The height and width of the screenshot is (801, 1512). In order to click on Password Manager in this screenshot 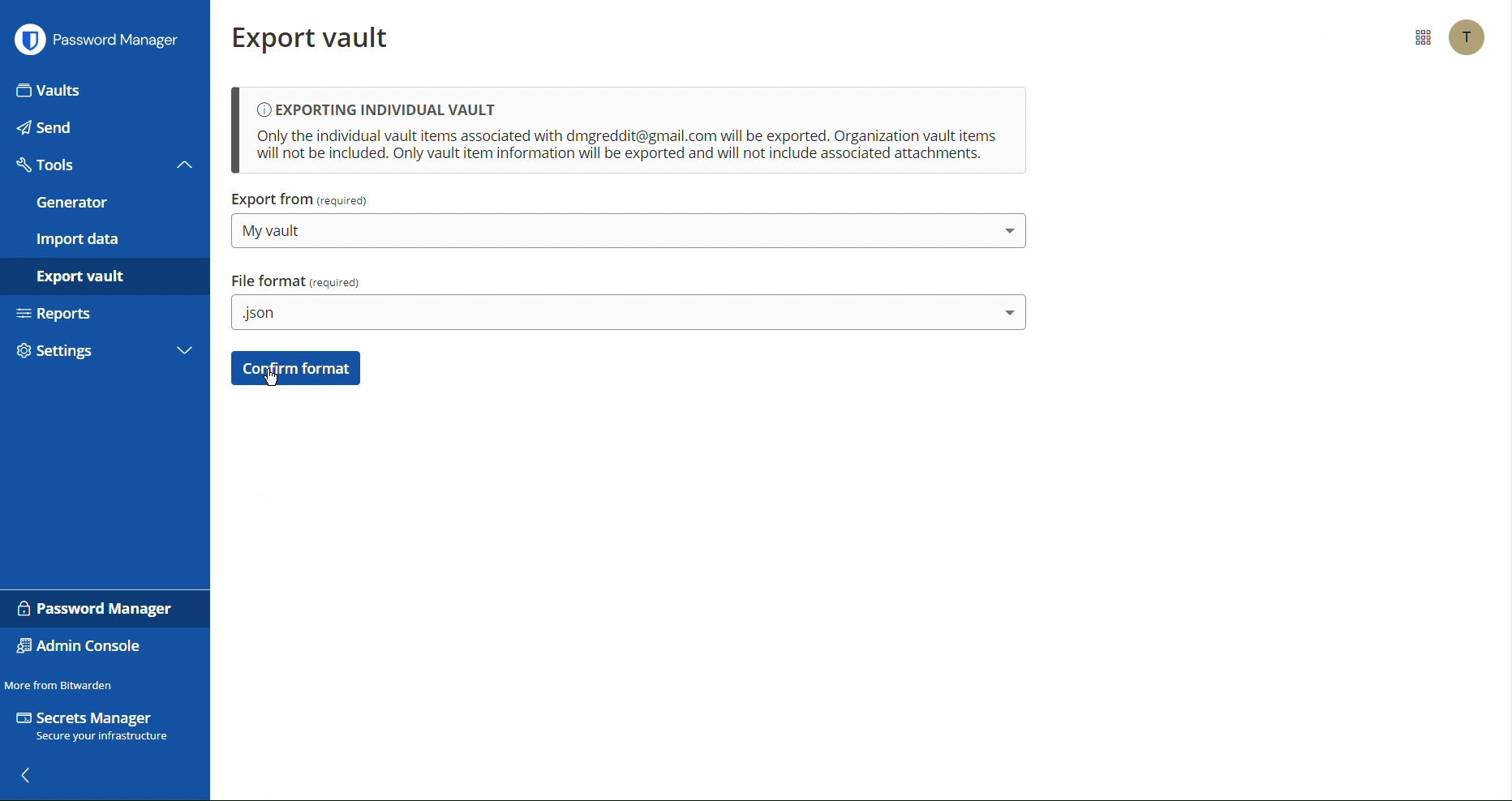, I will do `click(100, 42)`.